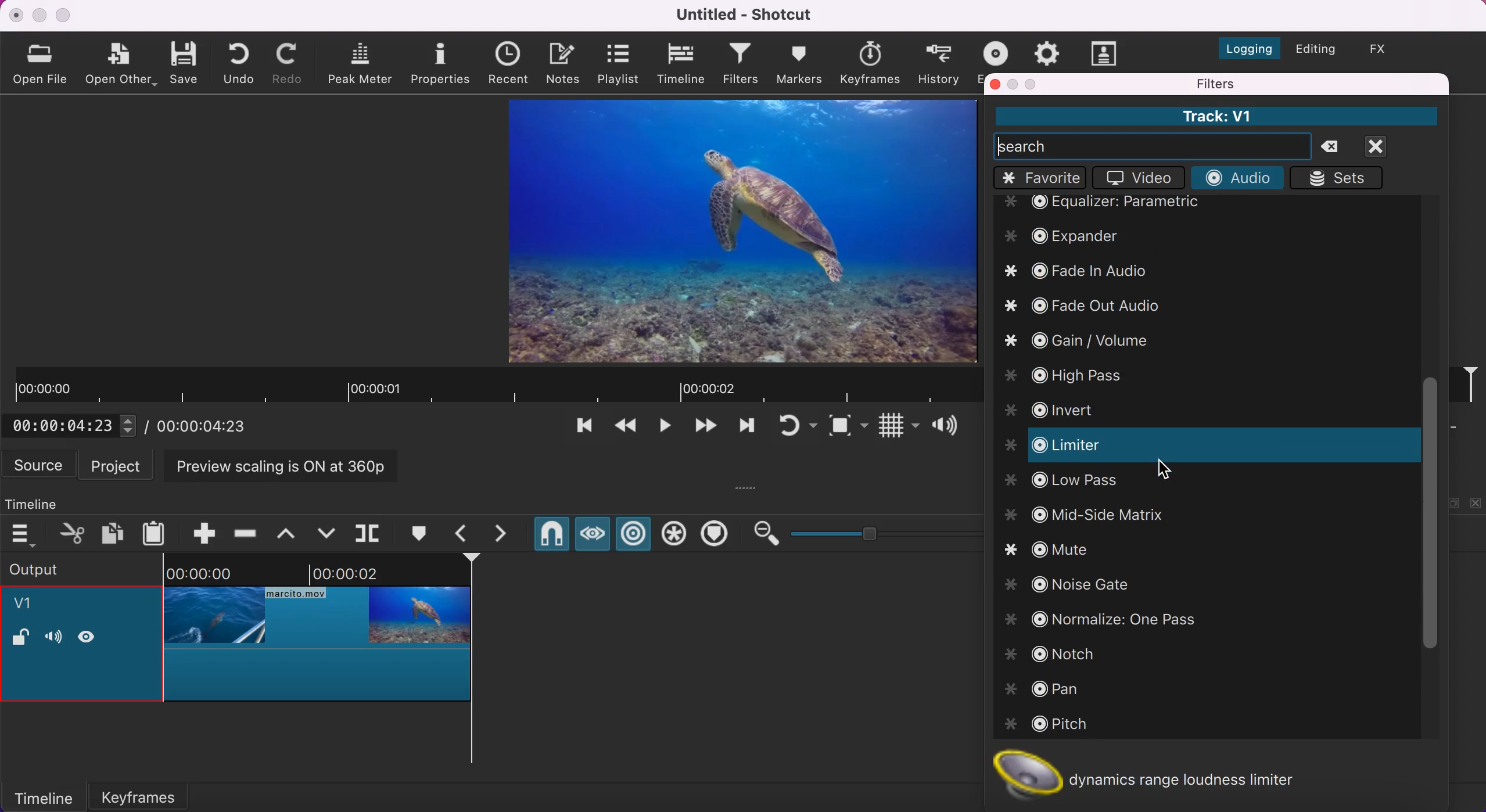 This screenshot has width=1486, height=812. Describe the element at coordinates (1243, 45) in the screenshot. I see `switch to the logging layout` at that location.